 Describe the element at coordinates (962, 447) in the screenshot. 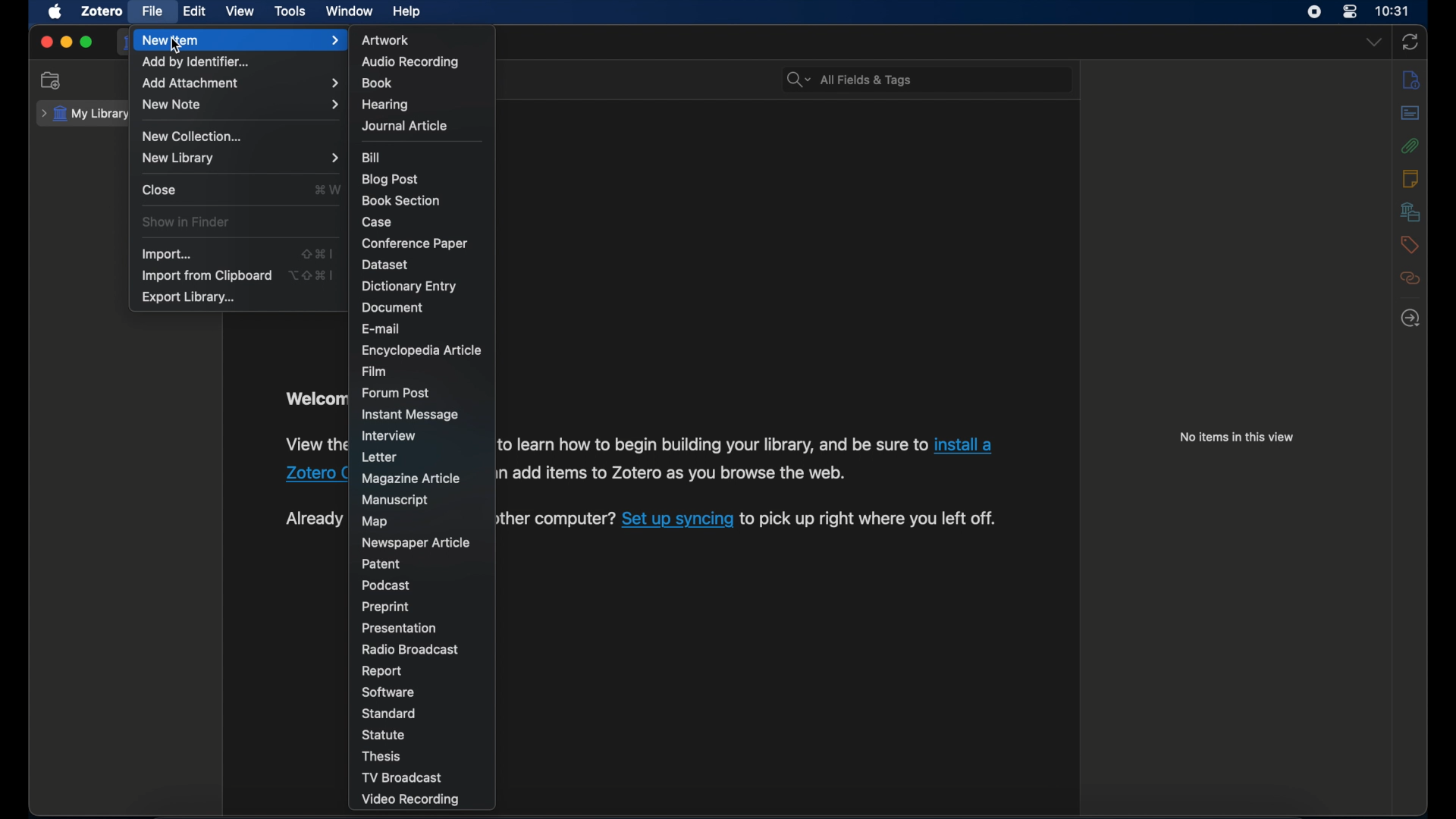

I see `` at that location.